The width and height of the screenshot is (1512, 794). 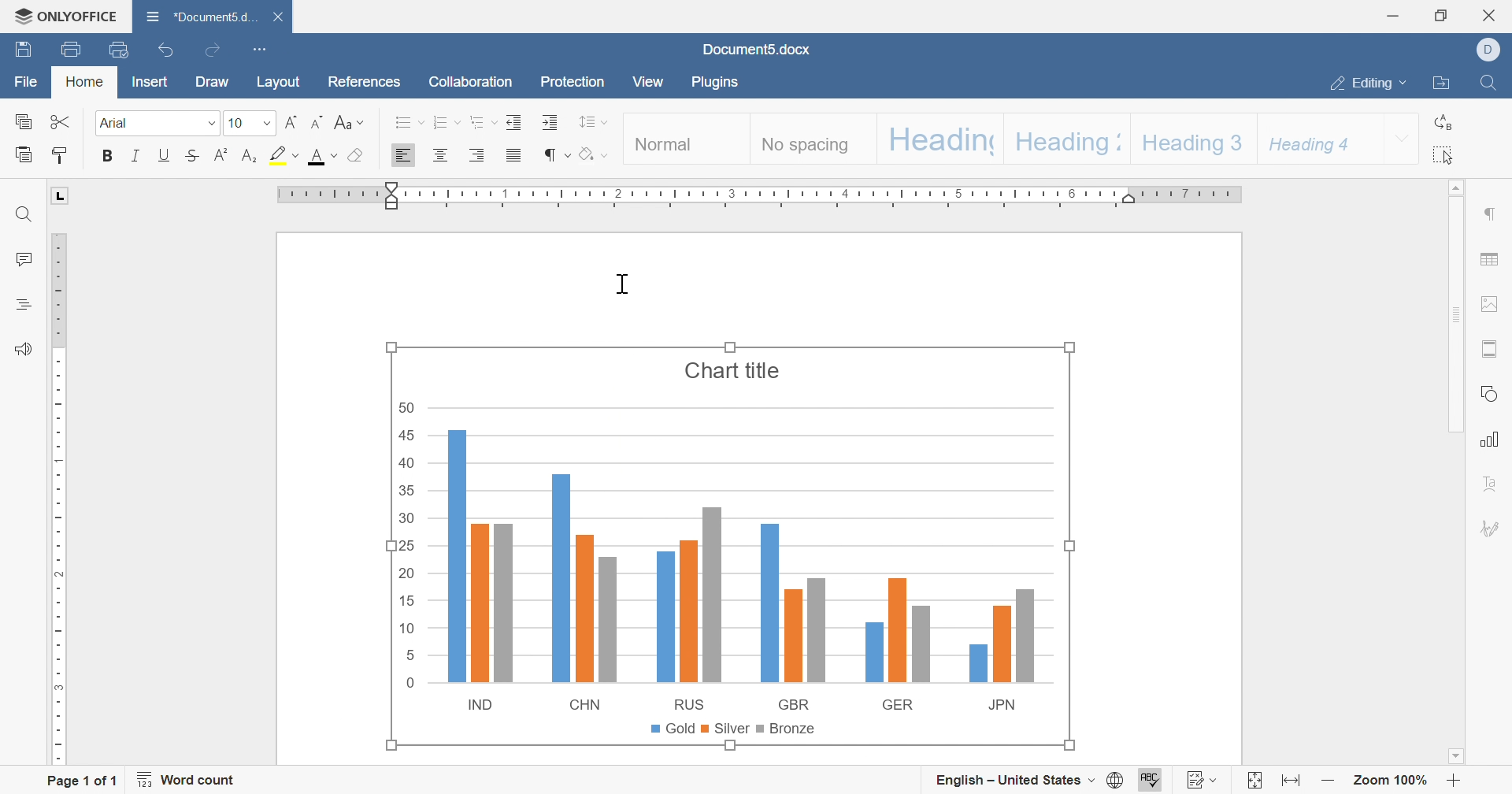 What do you see at coordinates (164, 155) in the screenshot?
I see `underline` at bounding box center [164, 155].